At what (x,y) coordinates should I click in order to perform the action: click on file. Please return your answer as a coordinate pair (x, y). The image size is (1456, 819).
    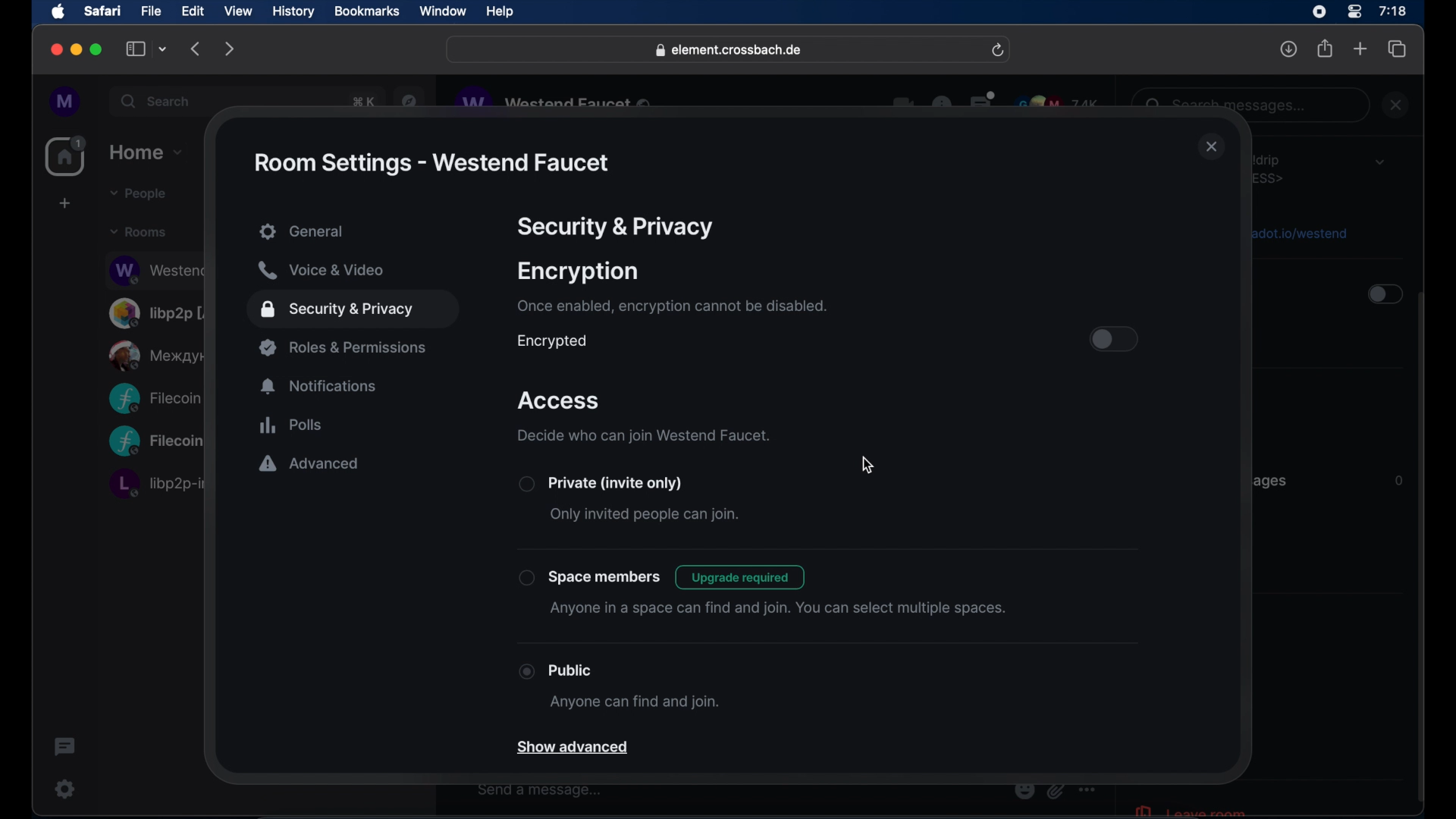
    Looking at the image, I should click on (151, 11).